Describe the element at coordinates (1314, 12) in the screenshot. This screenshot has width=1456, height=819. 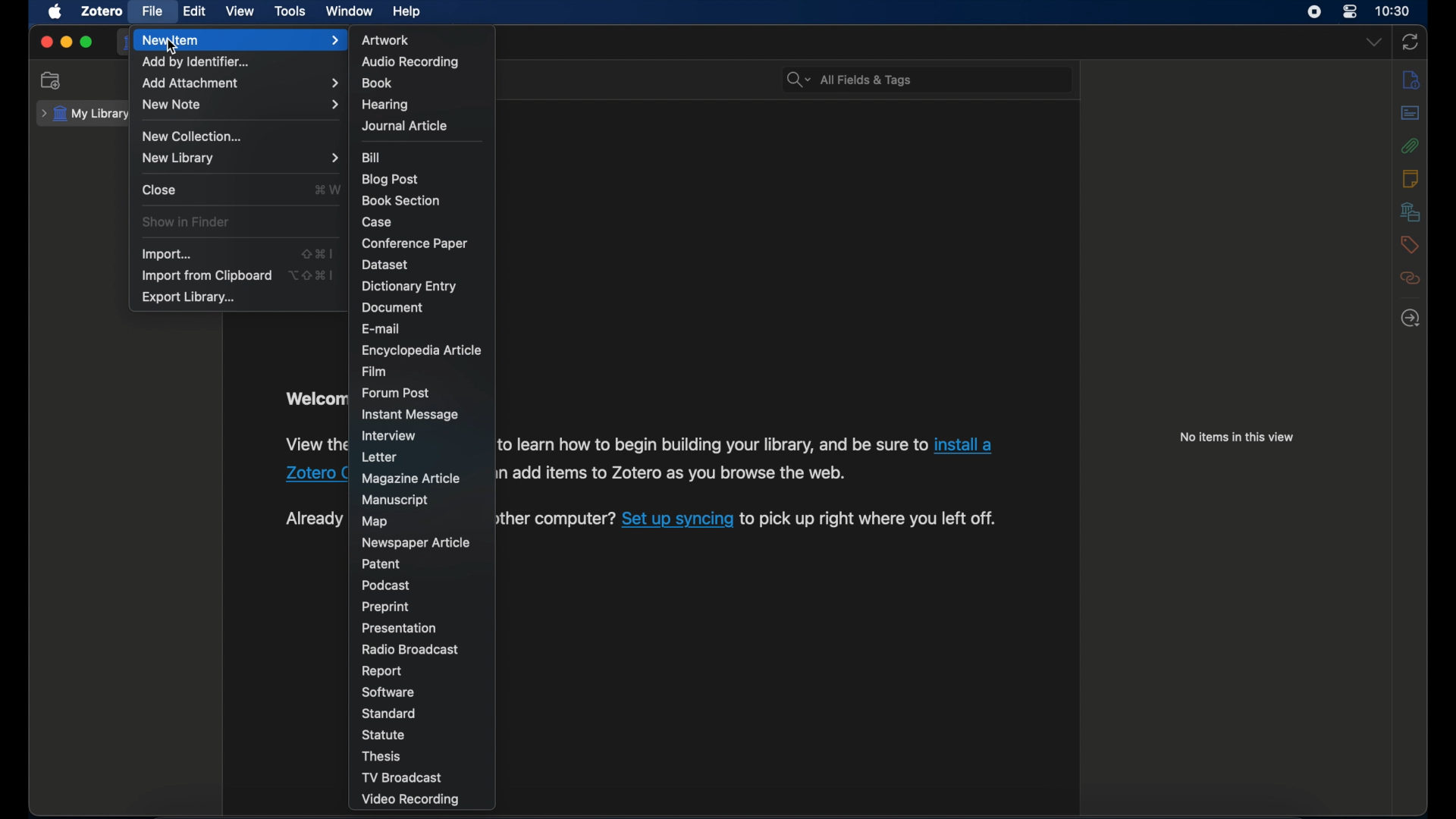
I see `screen recorder` at that location.